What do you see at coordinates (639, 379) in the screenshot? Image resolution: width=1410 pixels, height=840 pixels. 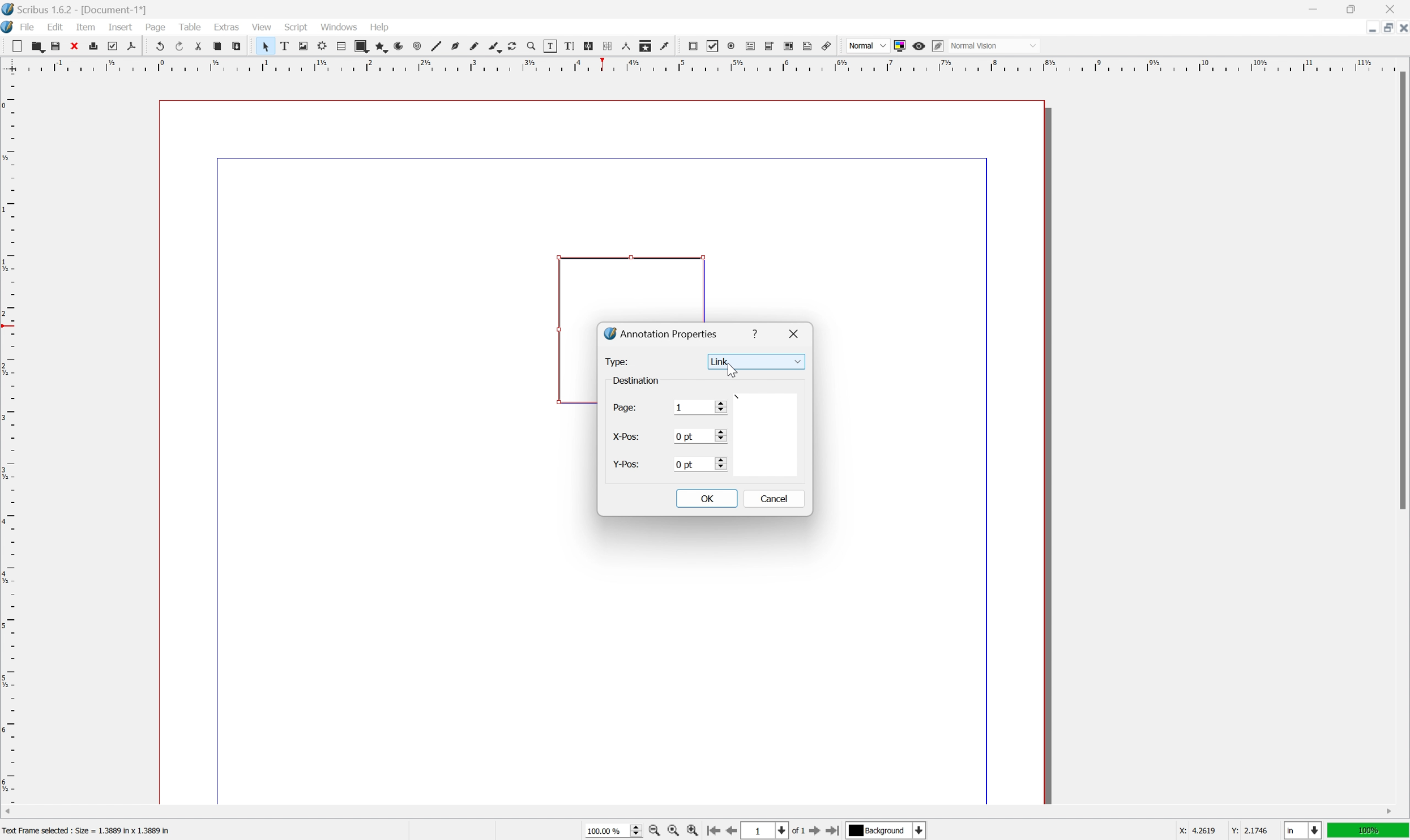 I see `destination` at bounding box center [639, 379].